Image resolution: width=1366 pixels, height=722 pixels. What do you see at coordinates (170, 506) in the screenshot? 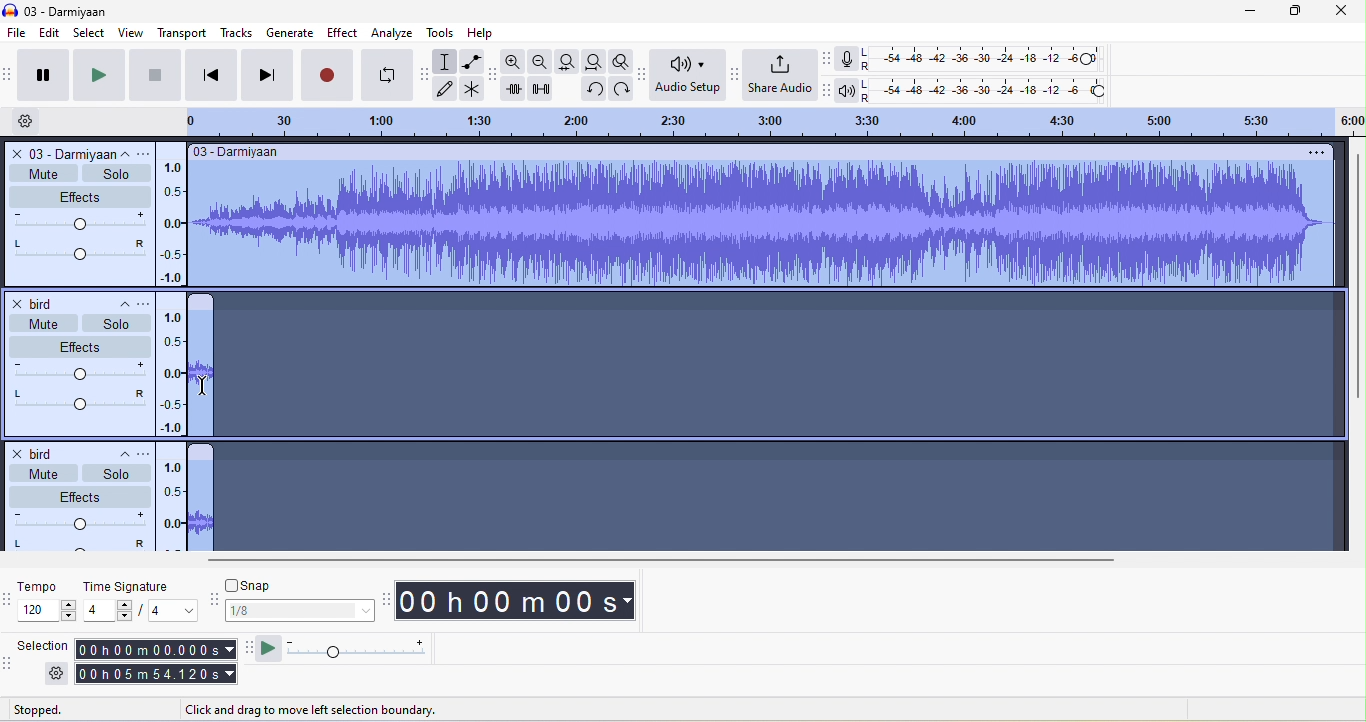
I see `linear` at bounding box center [170, 506].